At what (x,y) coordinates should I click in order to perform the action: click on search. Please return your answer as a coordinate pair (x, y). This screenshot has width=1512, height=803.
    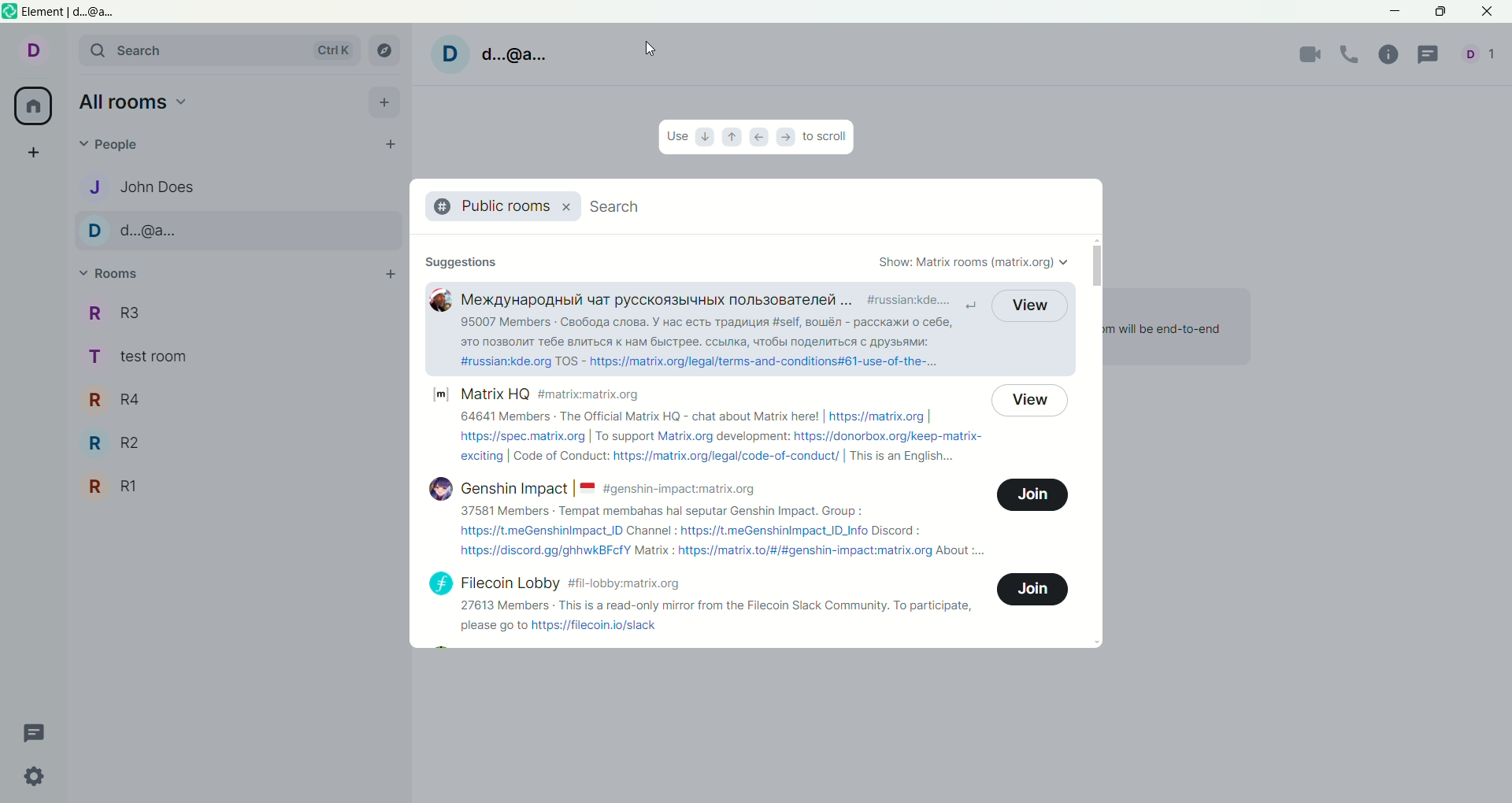
    Looking at the image, I should click on (621, 205).